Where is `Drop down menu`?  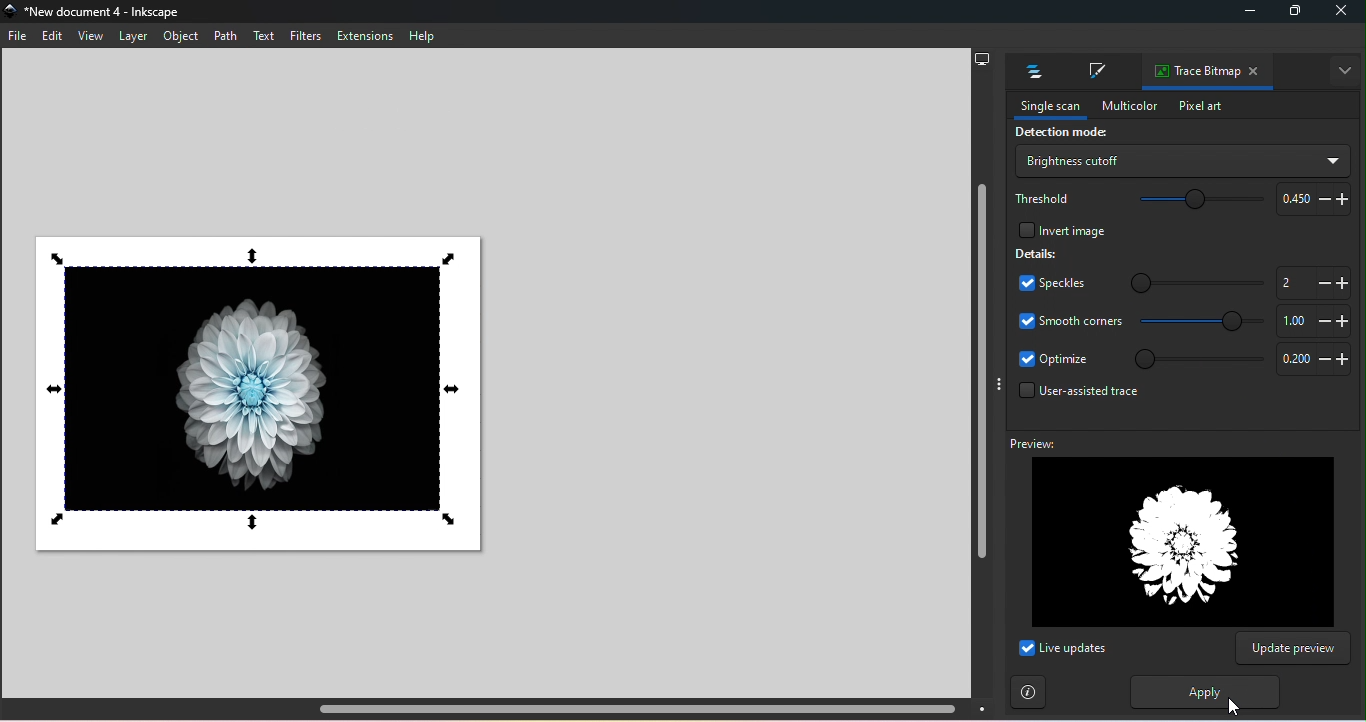 Drop down menu is located at coordinates (1181, 161).